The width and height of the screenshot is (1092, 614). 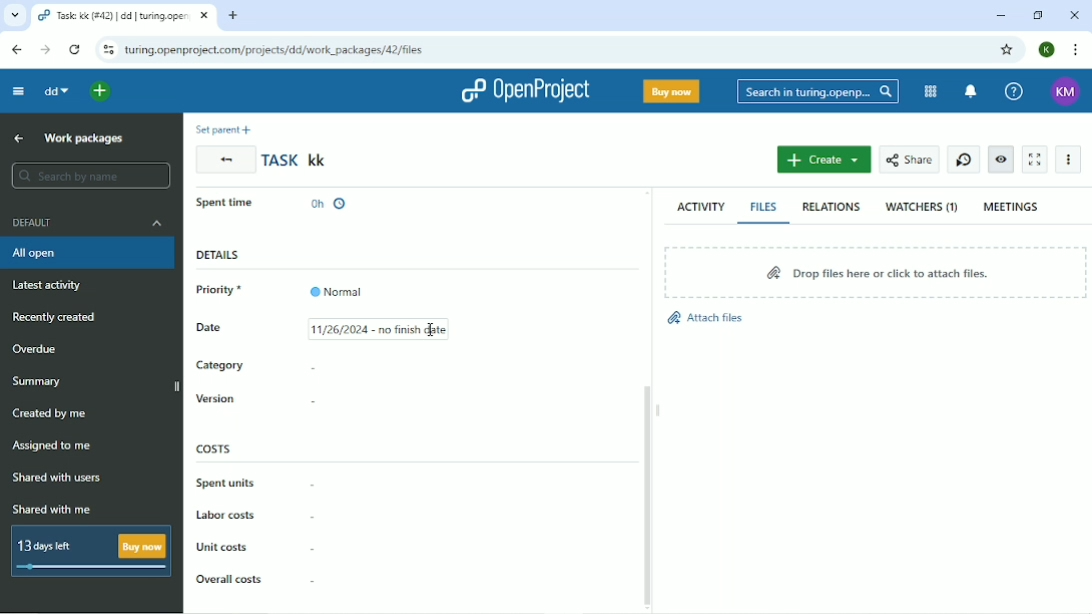 What do you see at coordinates (825, 159) in the screenshot?
I see `Create` at bounding box center [825, 159].